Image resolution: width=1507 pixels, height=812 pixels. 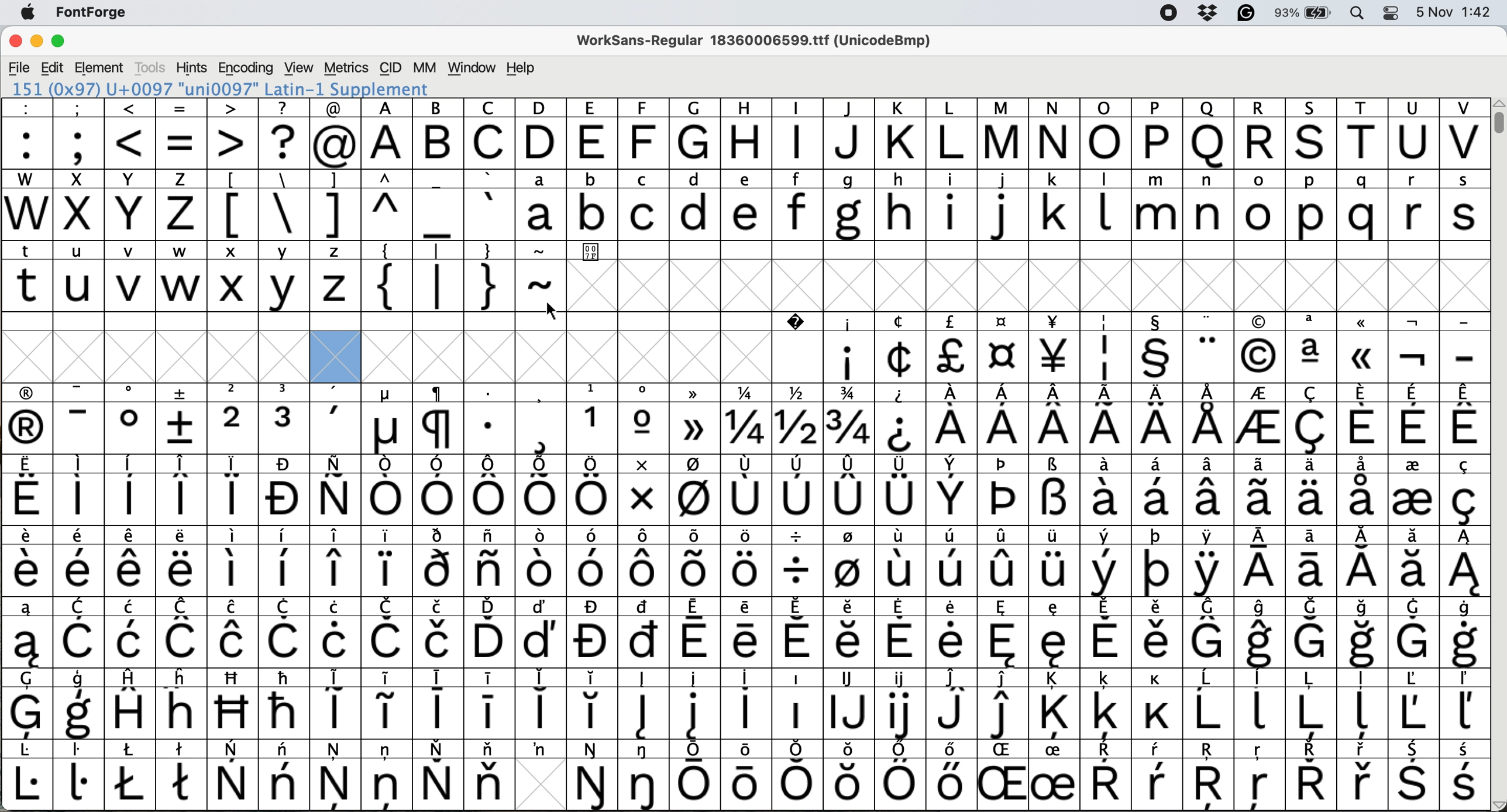 What do you see at coordinates (748, 135) in the screenshot?
I see `H` at bounding box center [748, 135].